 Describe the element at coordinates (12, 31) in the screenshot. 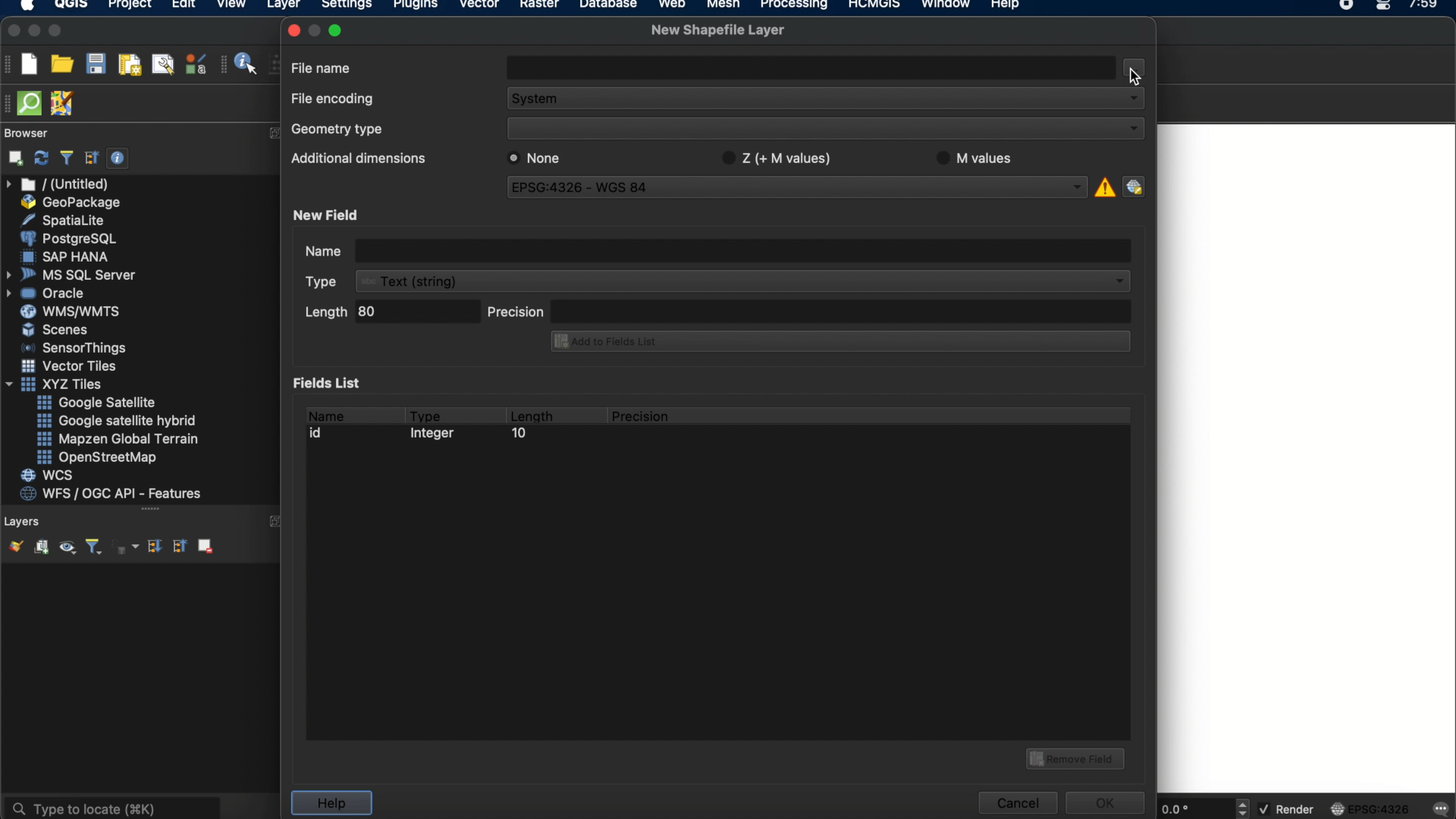

I see `close` at that location.